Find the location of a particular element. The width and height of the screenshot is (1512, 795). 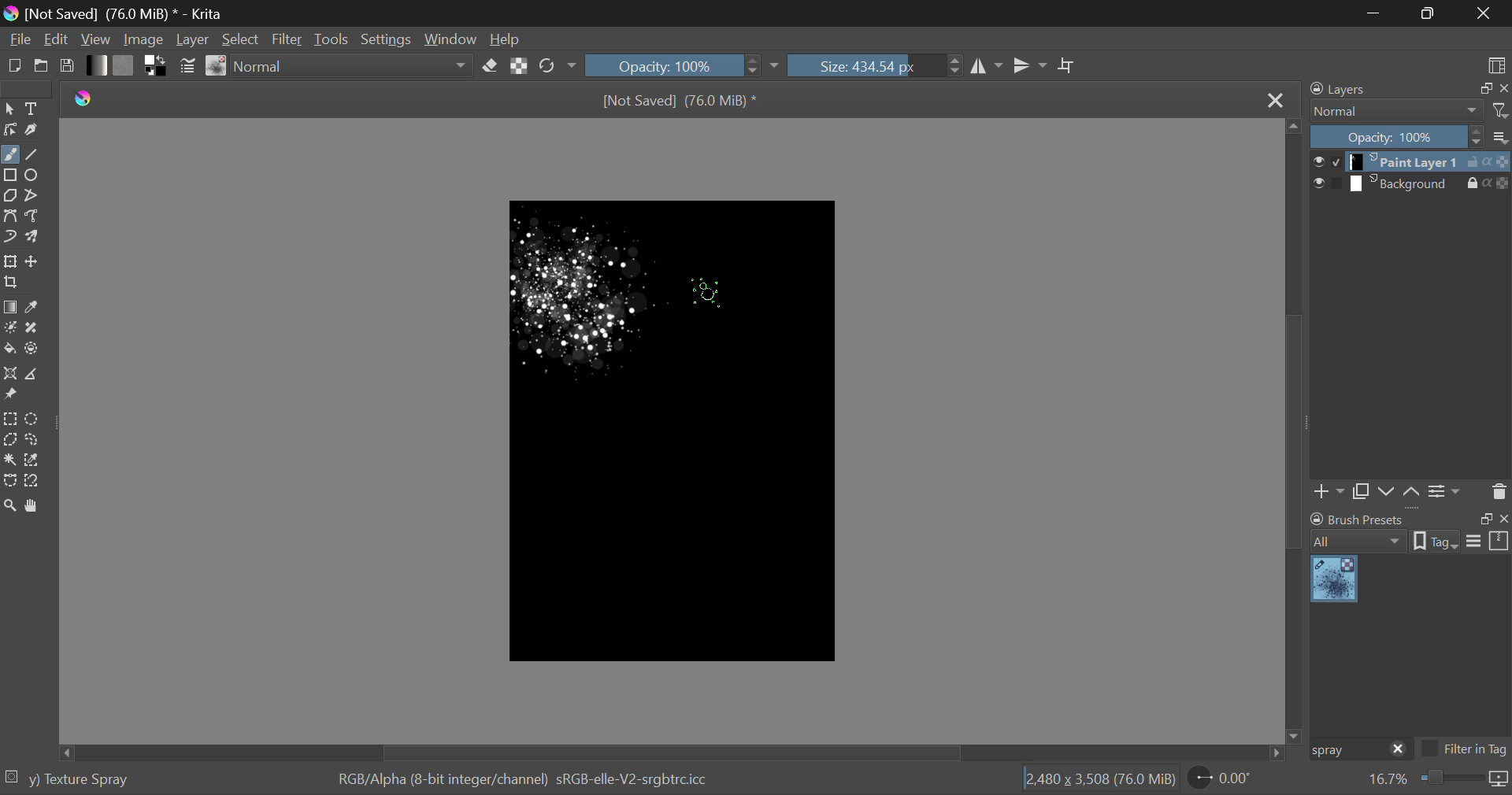

Gradient Fill is located at coordinates (11, 308).